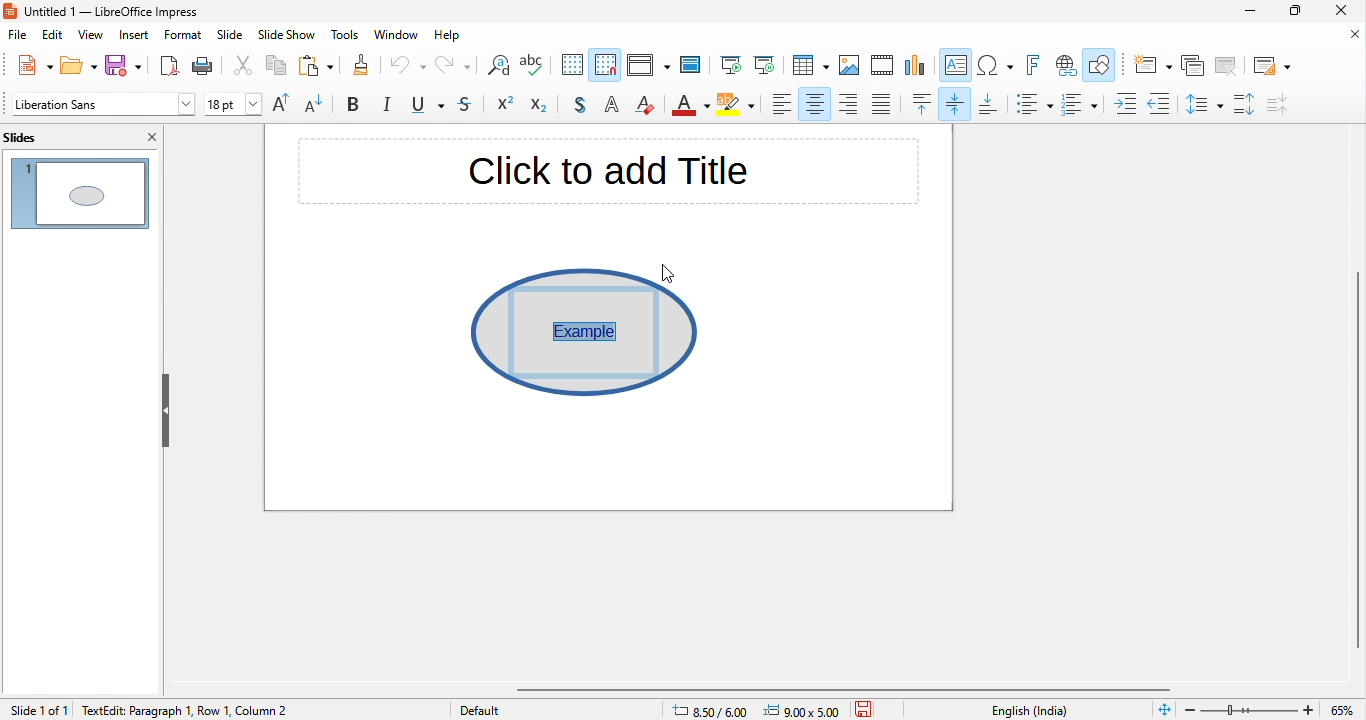 The image size is (1366, 720). What do you see at coordinates (1349, 35) in the screenshot?
I see `close` at bounding box center [1349, 35].